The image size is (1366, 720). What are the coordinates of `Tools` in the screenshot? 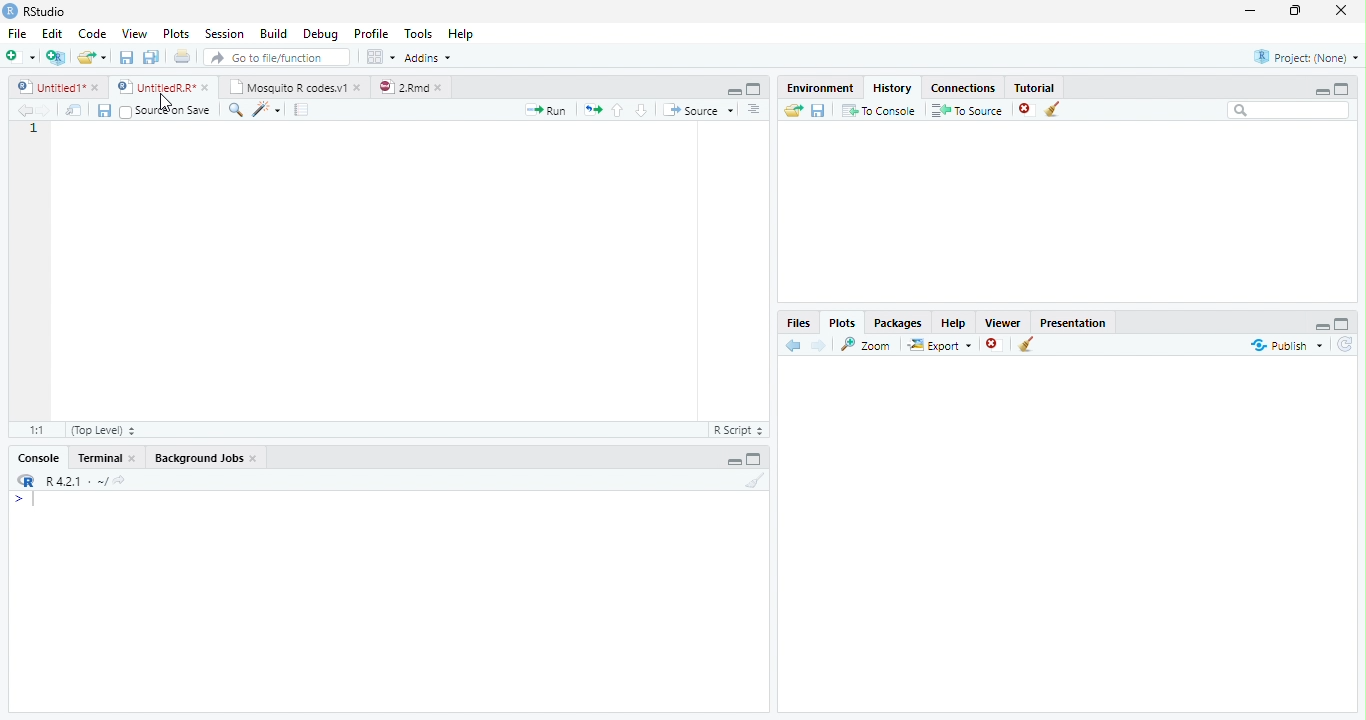 It's located at (420, 33).